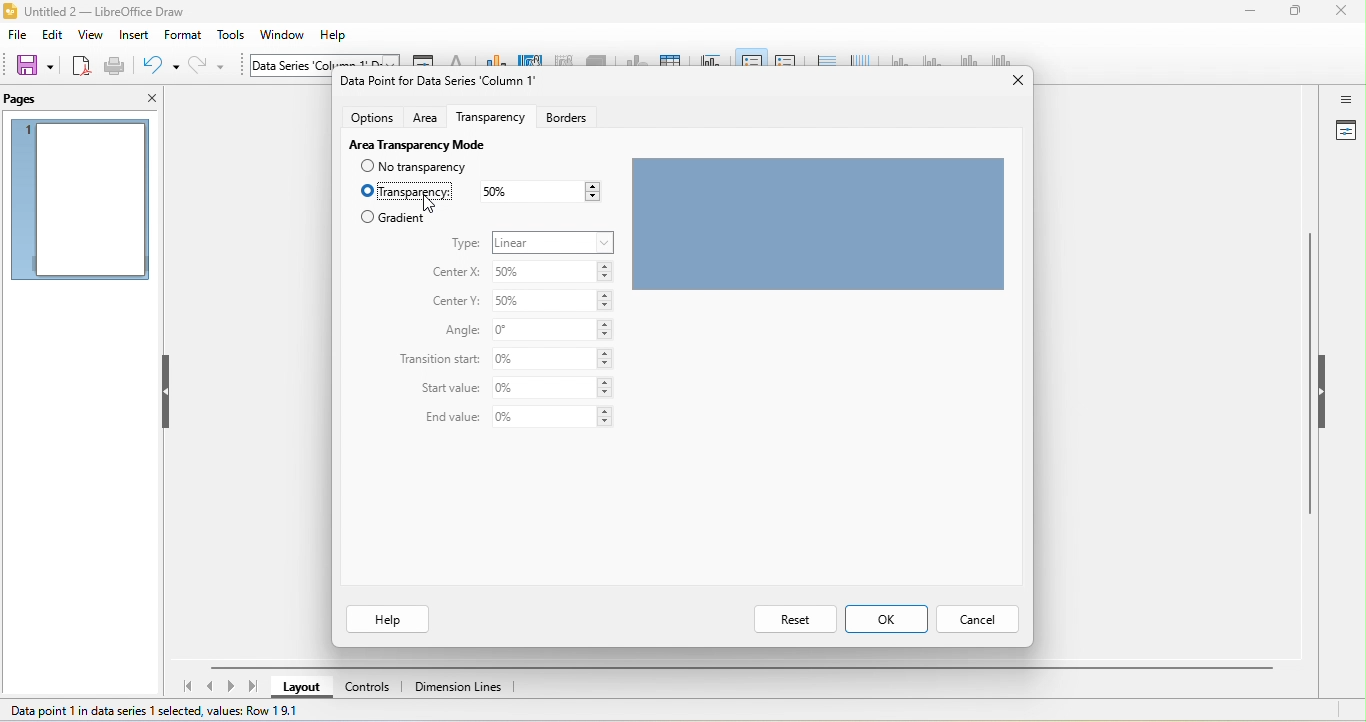  Describe the element at coordinates (1019, 79) in the screenshot. I see `close` at that location.